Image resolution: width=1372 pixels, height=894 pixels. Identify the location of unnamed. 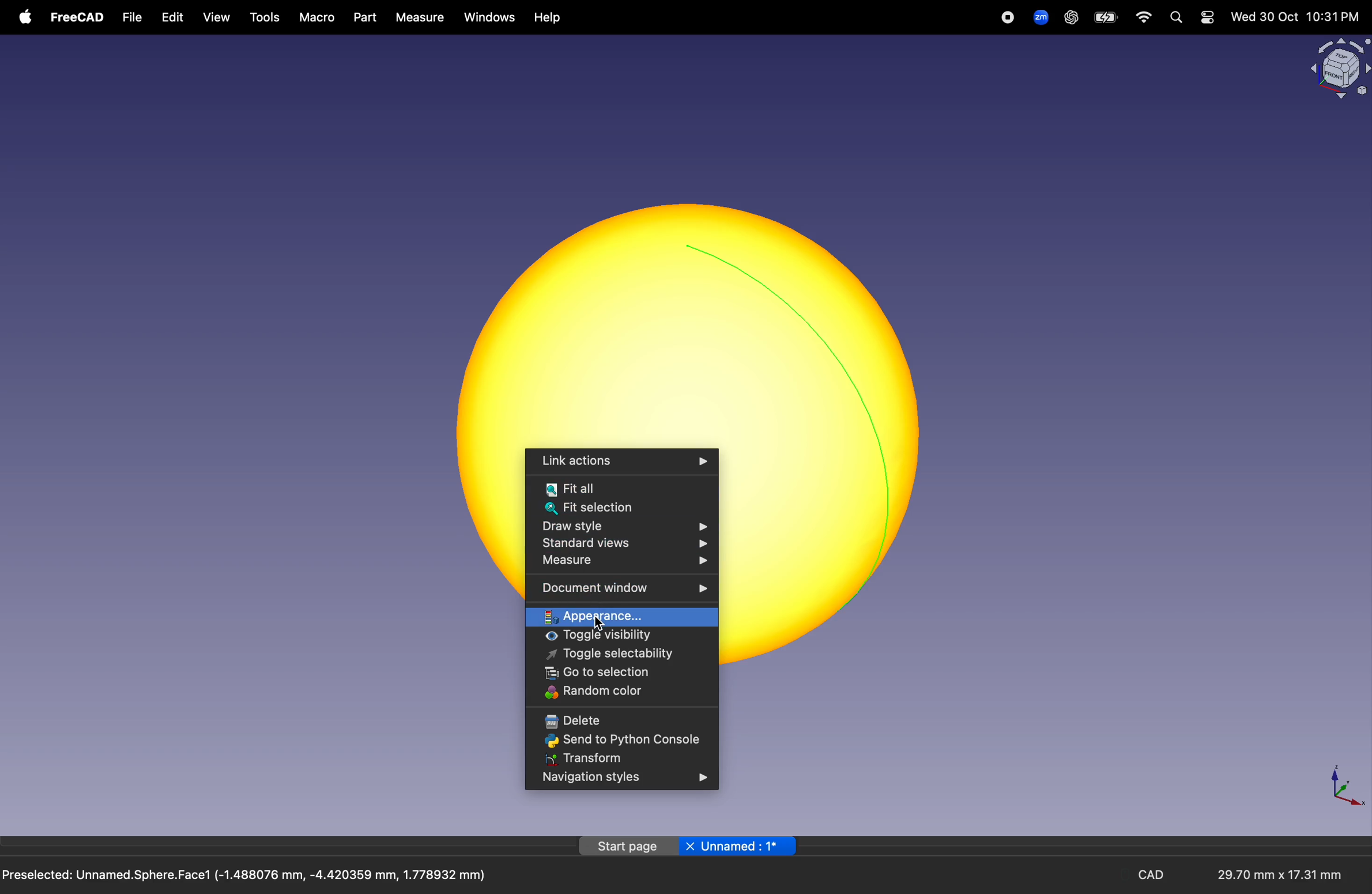
(740, 847).